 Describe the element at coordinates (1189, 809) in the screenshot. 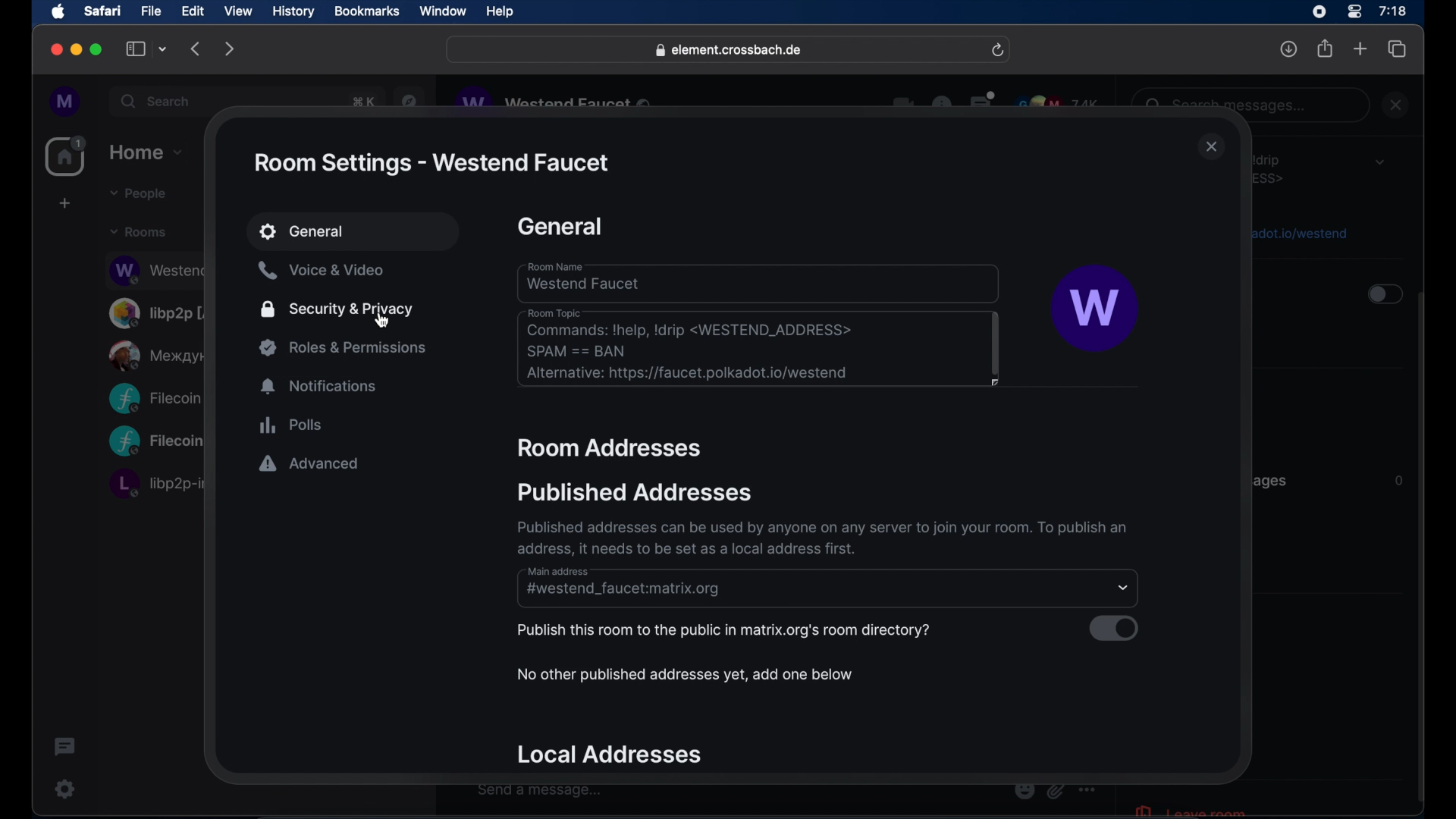

I see `leave room` at that location.